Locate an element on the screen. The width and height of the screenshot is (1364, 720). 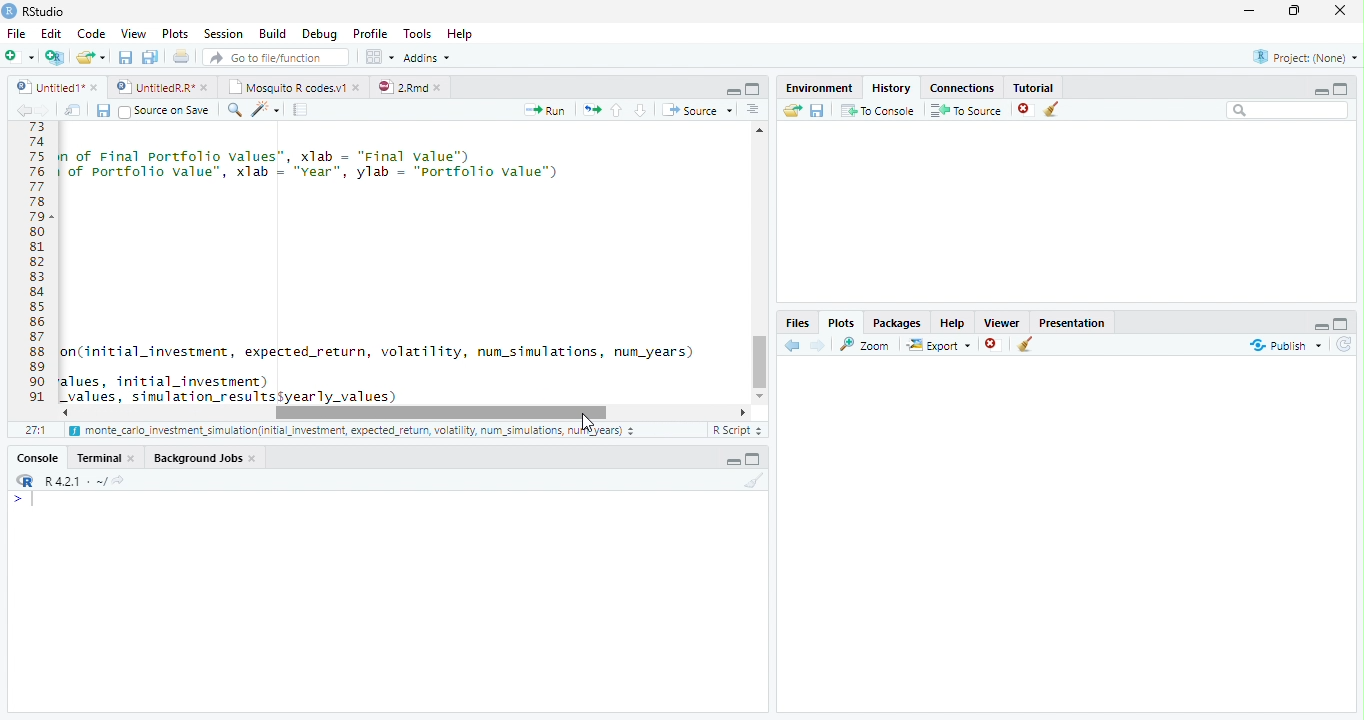
Full Height is located at coordinates (754, 88).